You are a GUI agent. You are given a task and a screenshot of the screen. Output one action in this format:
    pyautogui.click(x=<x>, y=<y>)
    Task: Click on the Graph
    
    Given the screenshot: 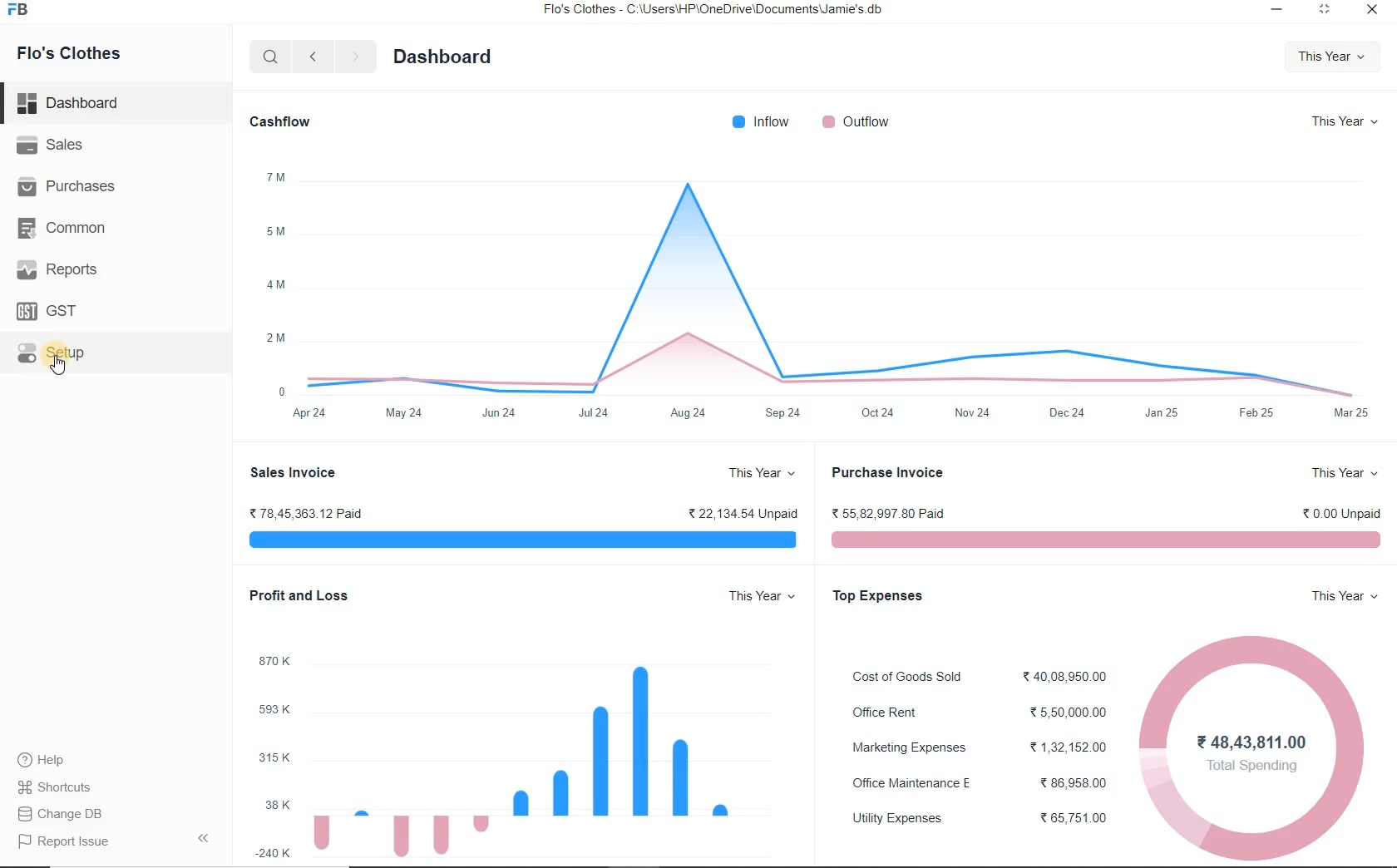 What is the action you would take?
    pyautogui.click(x=834, y=278)
    